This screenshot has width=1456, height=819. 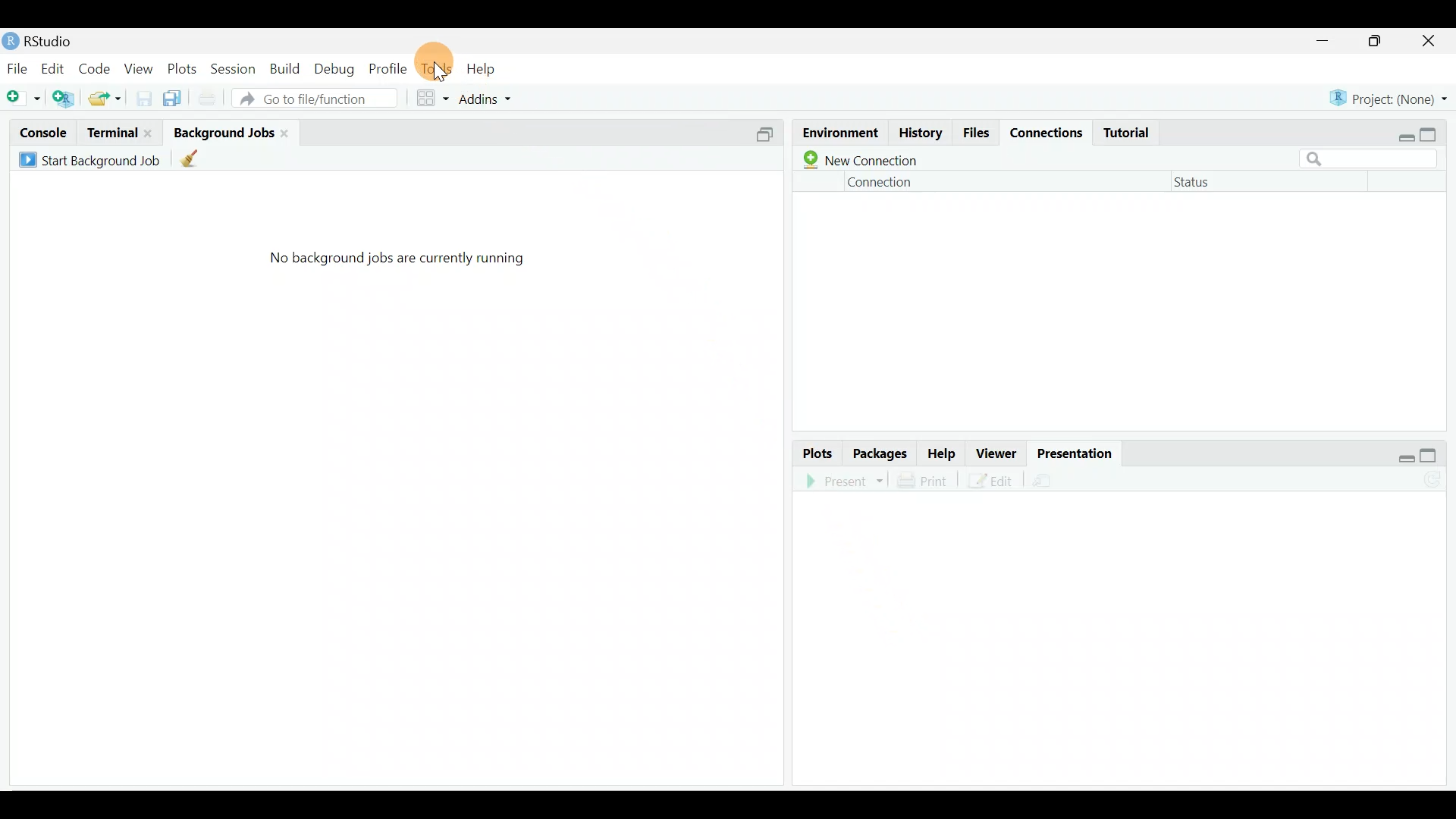 What do you see at coordinates (1203, 184) in the screenshot?
I see `Status` at bounding box center [1203, 184].